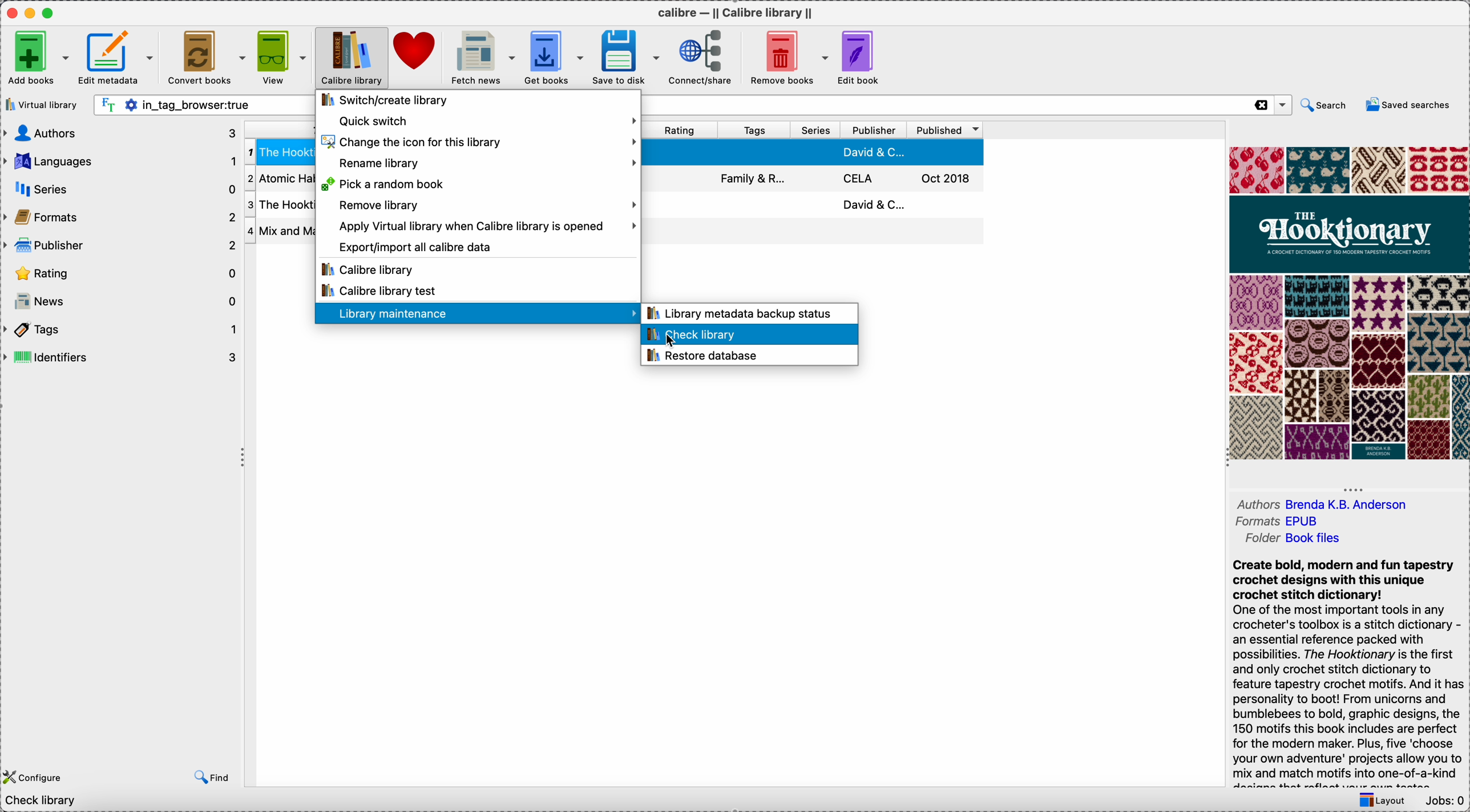  What do you see at coordinates (1445, 801) in the screenshot?
I see `Jobs: 0` at bounding box center [1445, 801].